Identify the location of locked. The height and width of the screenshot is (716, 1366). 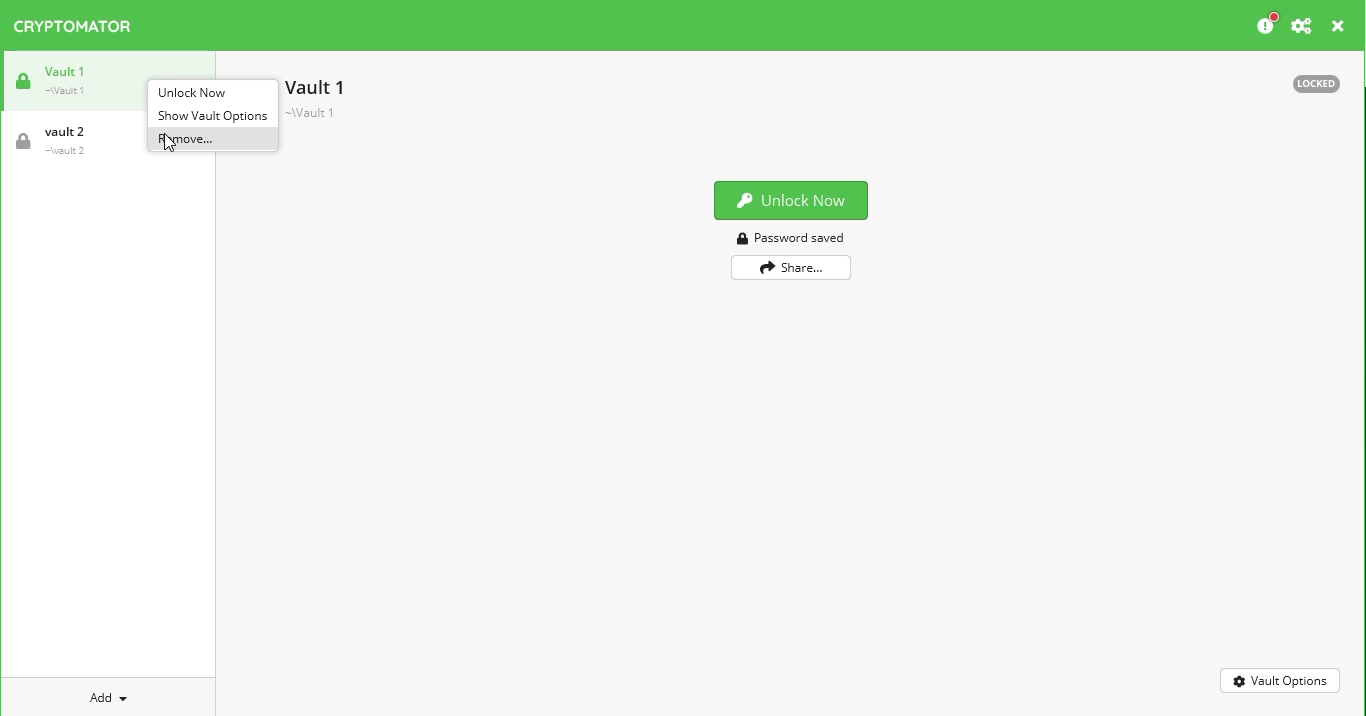
(1316, 84).